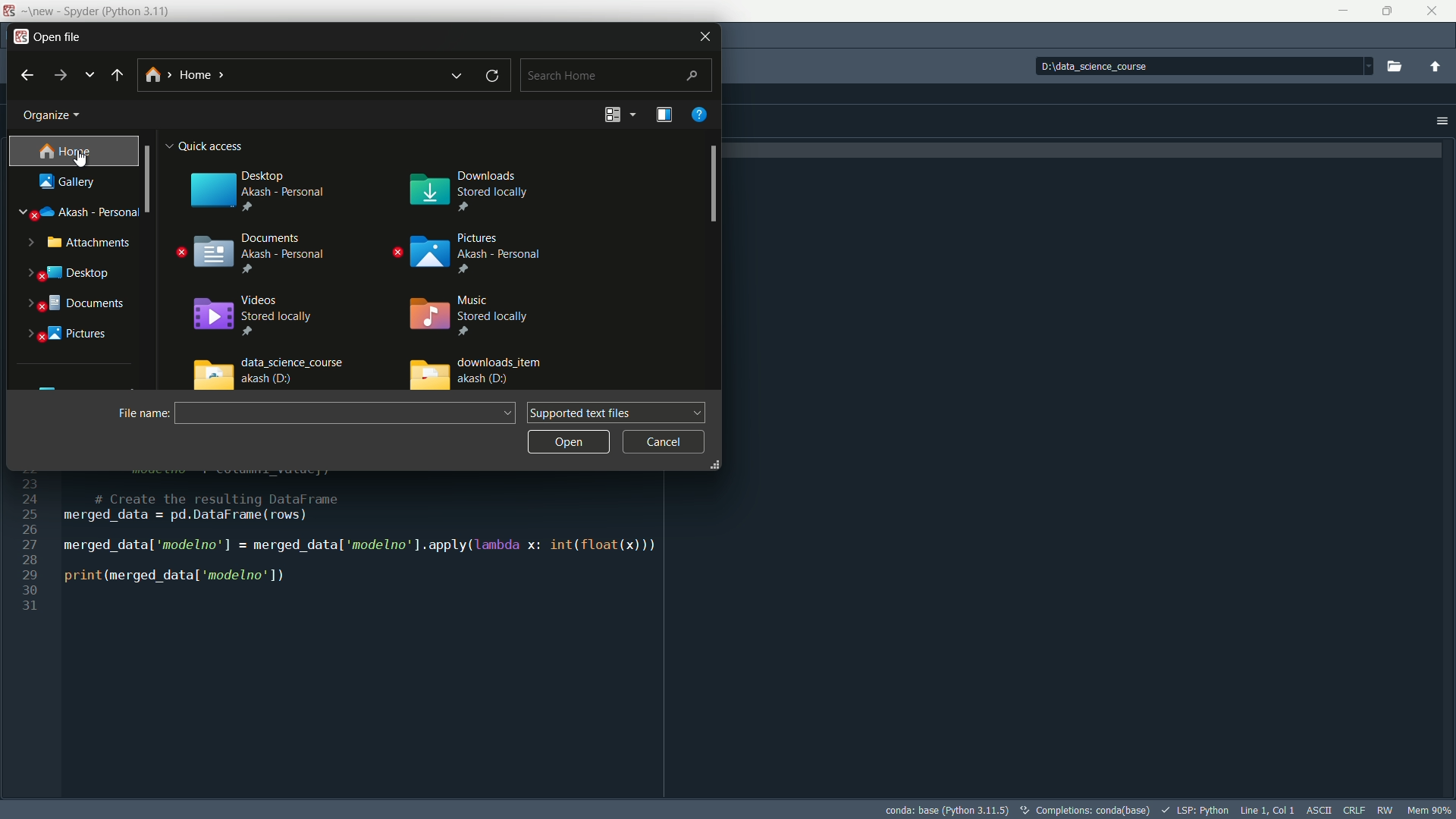 The image size is (1456, 819). I want to click on file name, so click(136, 413).